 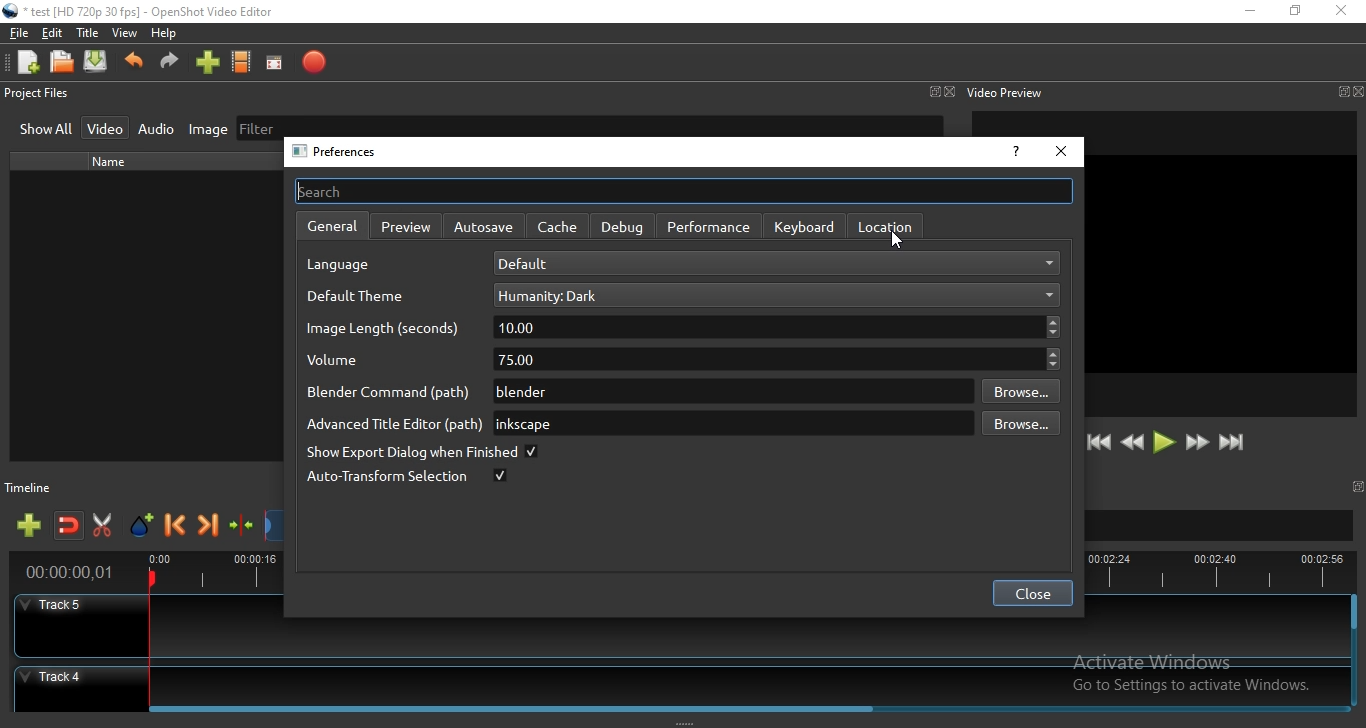 What do you see at coordinates (65, 574) in the screenshot?
I see `time` at bounding box center [65, 574].